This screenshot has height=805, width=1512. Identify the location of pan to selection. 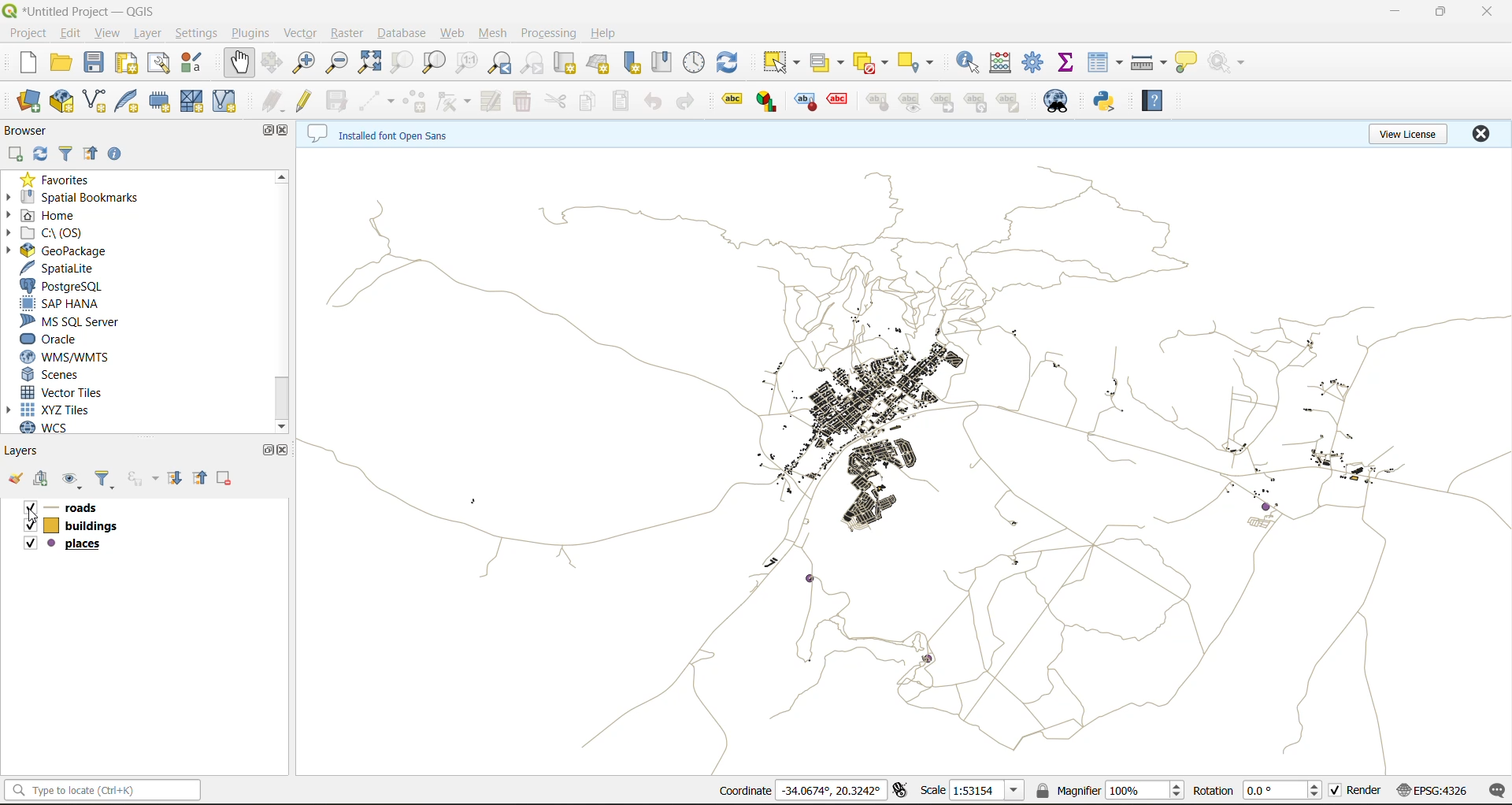
(269, 63).